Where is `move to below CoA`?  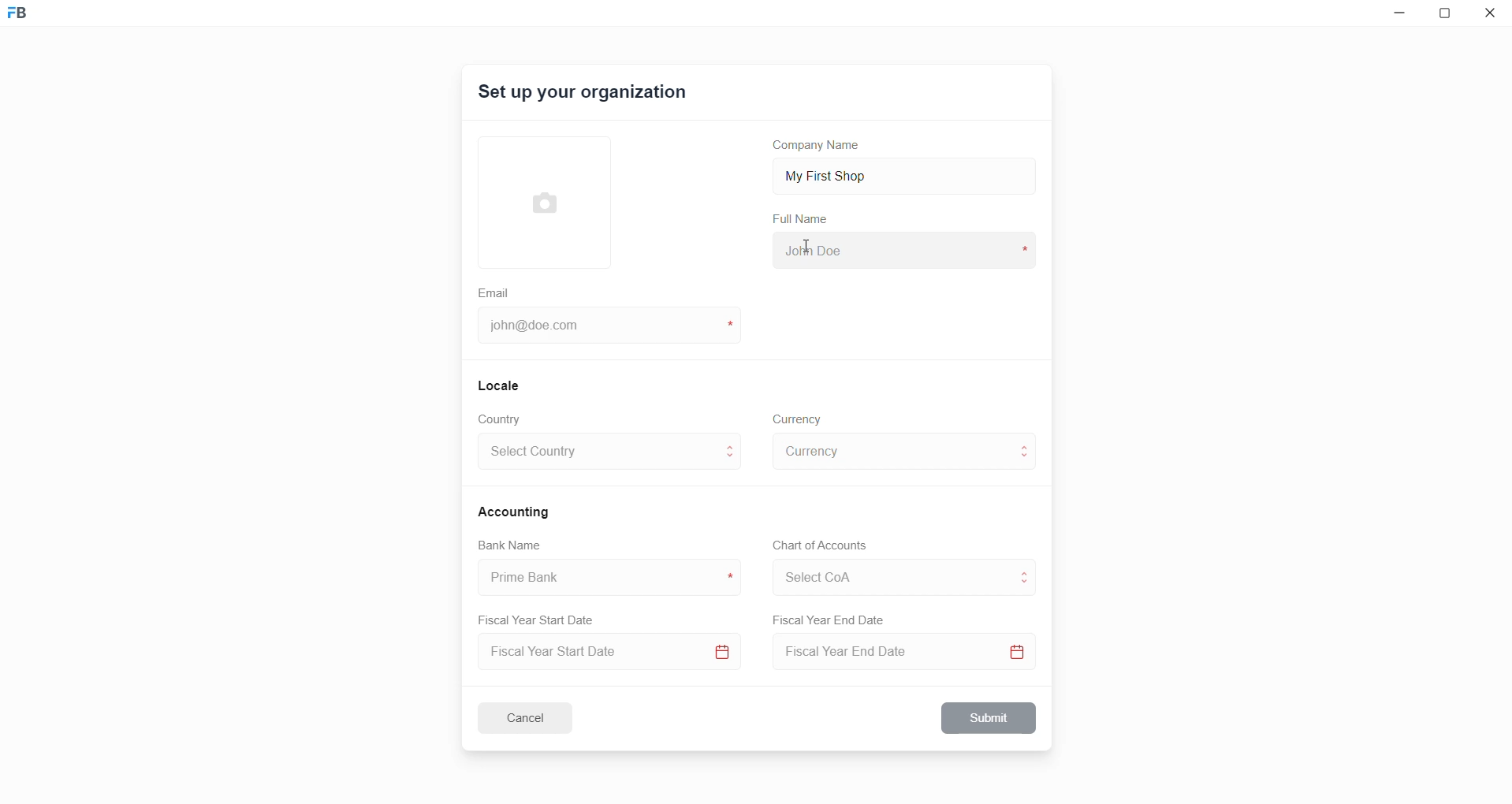 move to below CoA is located at coordinates (1026, 585).